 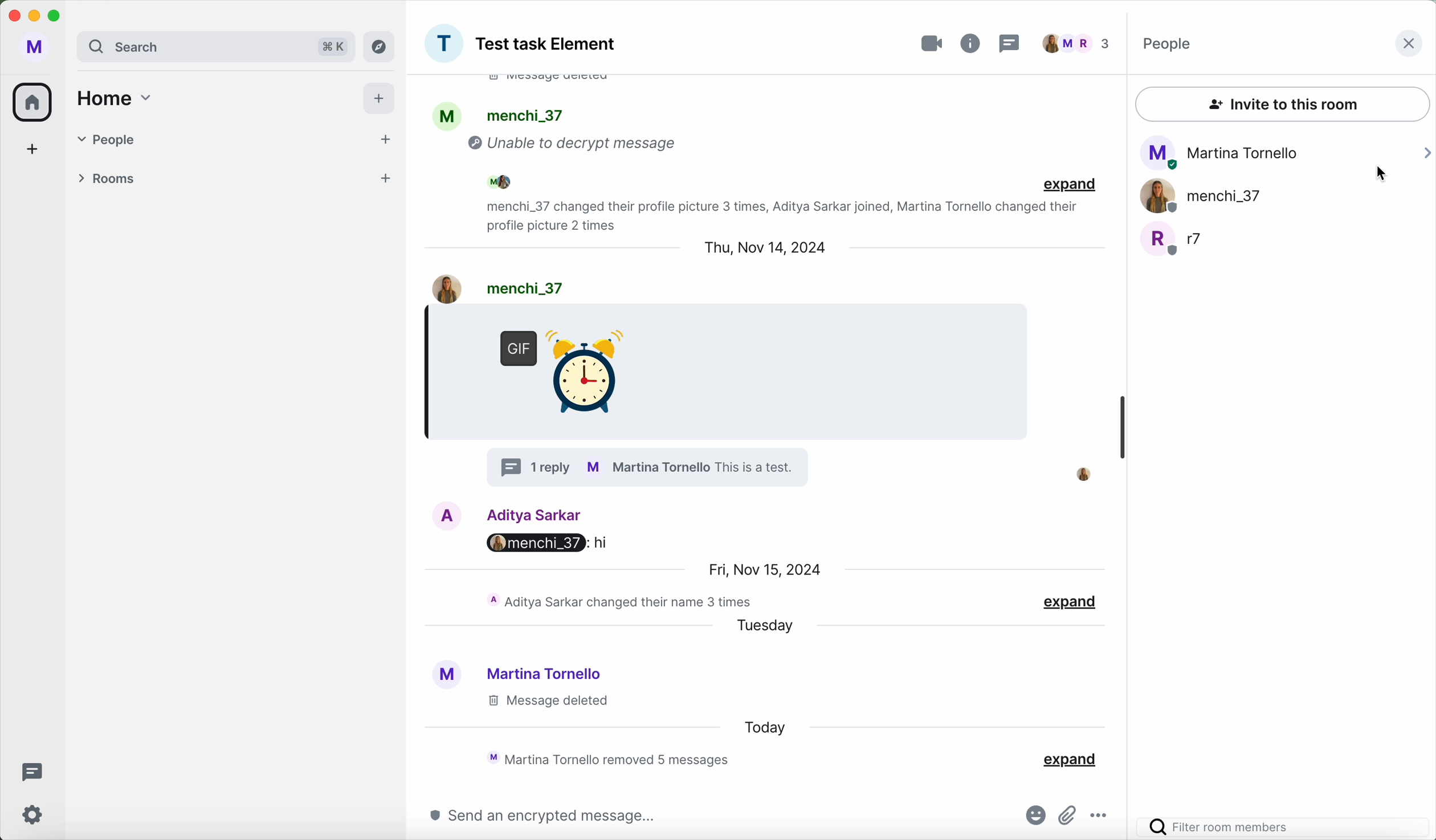 I want to click on expand, so click(x=1069, y=186).